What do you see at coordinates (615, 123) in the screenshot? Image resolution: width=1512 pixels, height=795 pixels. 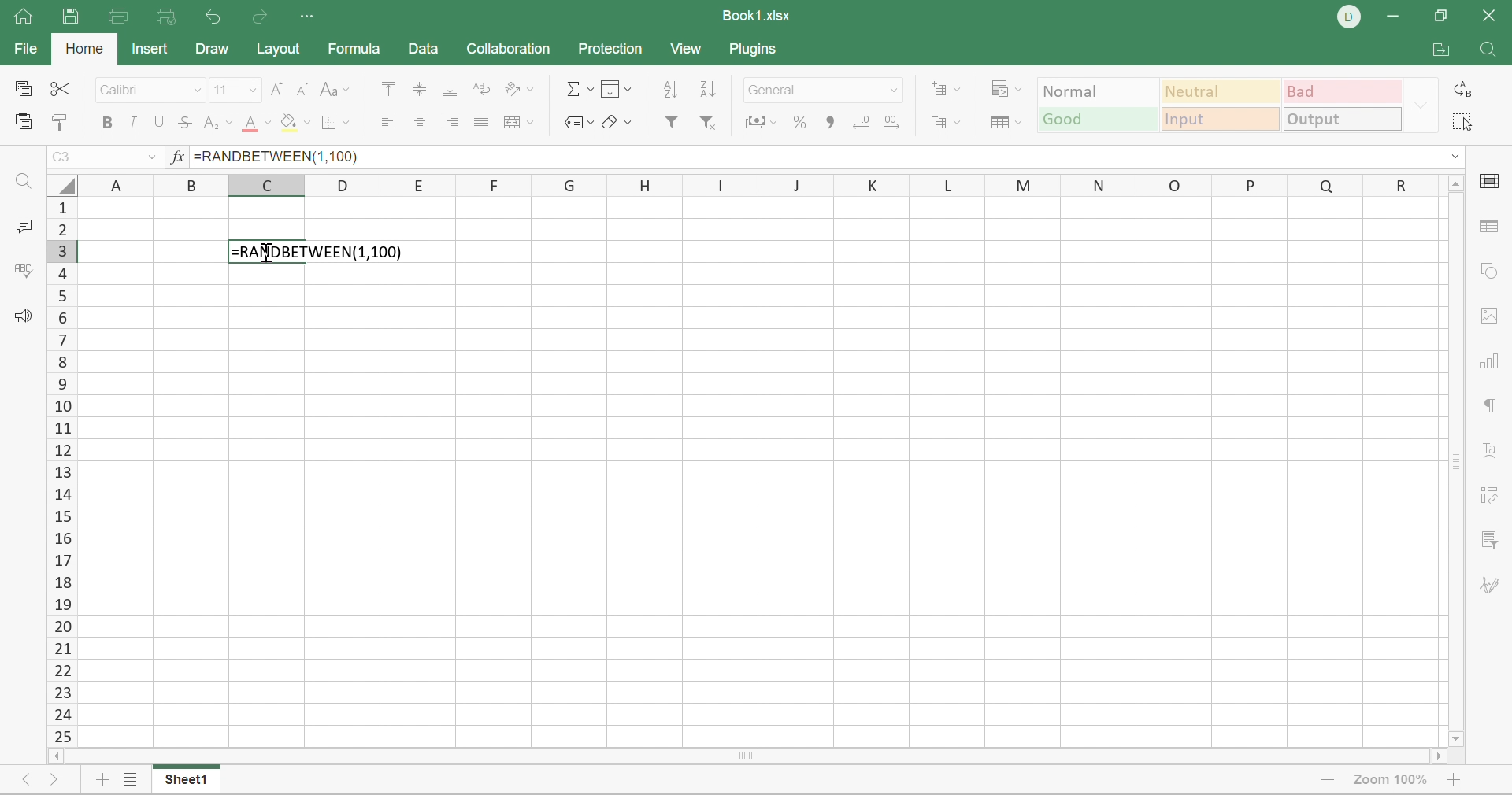 I see `Clear` at bounding box center [615, 123].